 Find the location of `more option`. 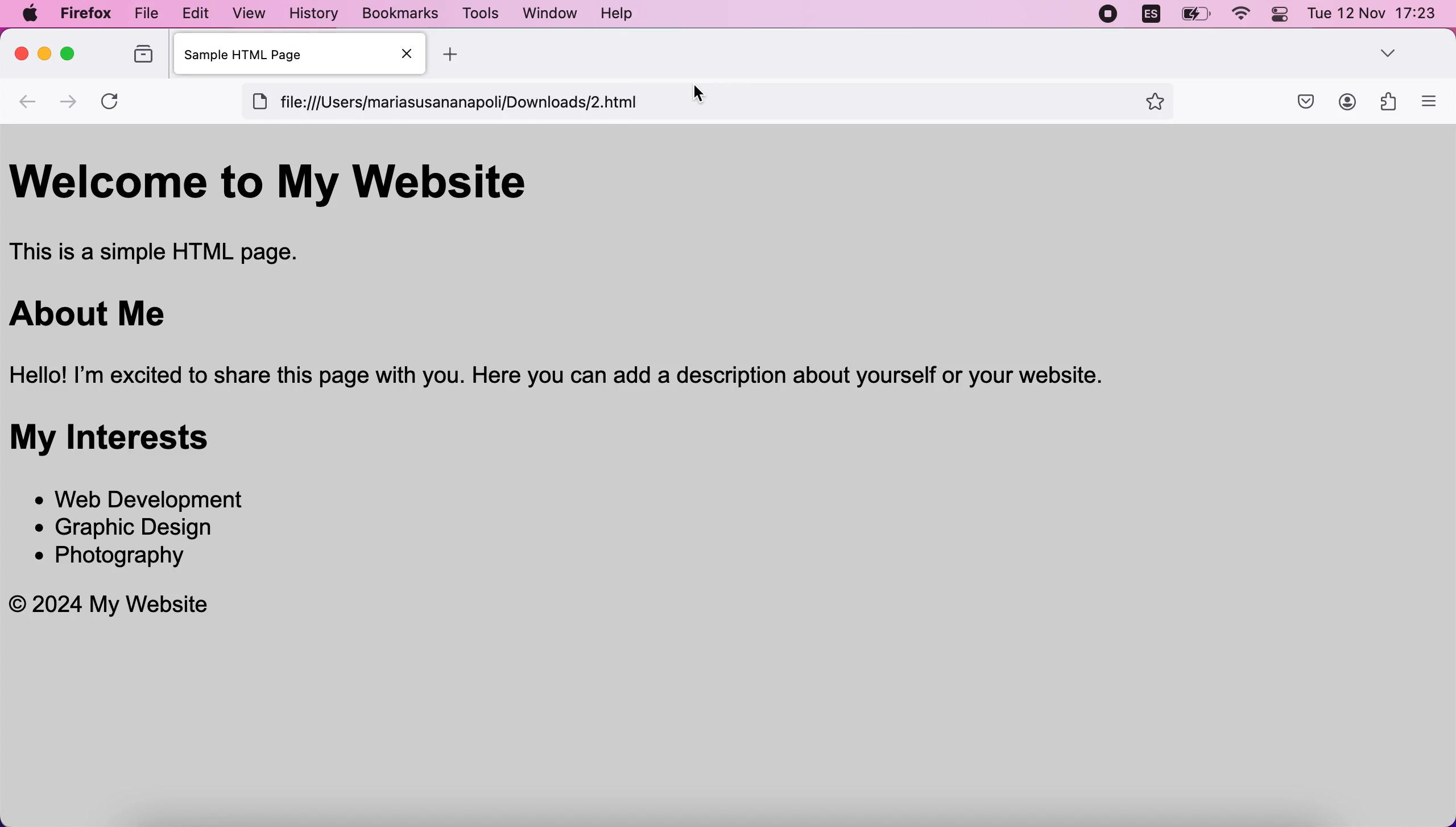

more option is located at coordinates (1389, 56).